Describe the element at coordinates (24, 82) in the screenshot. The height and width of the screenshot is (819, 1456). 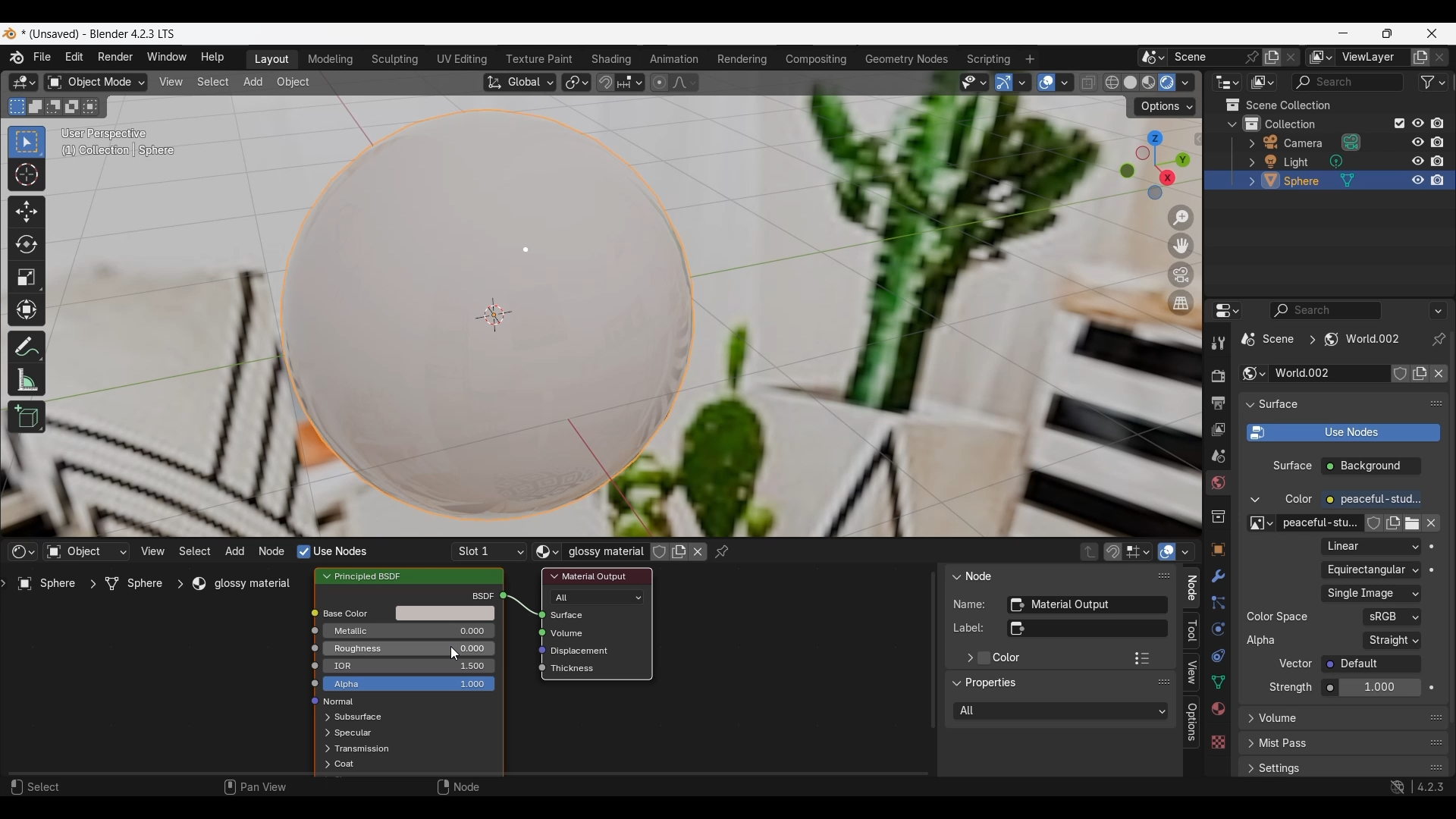
I see `Editor type` at that location.